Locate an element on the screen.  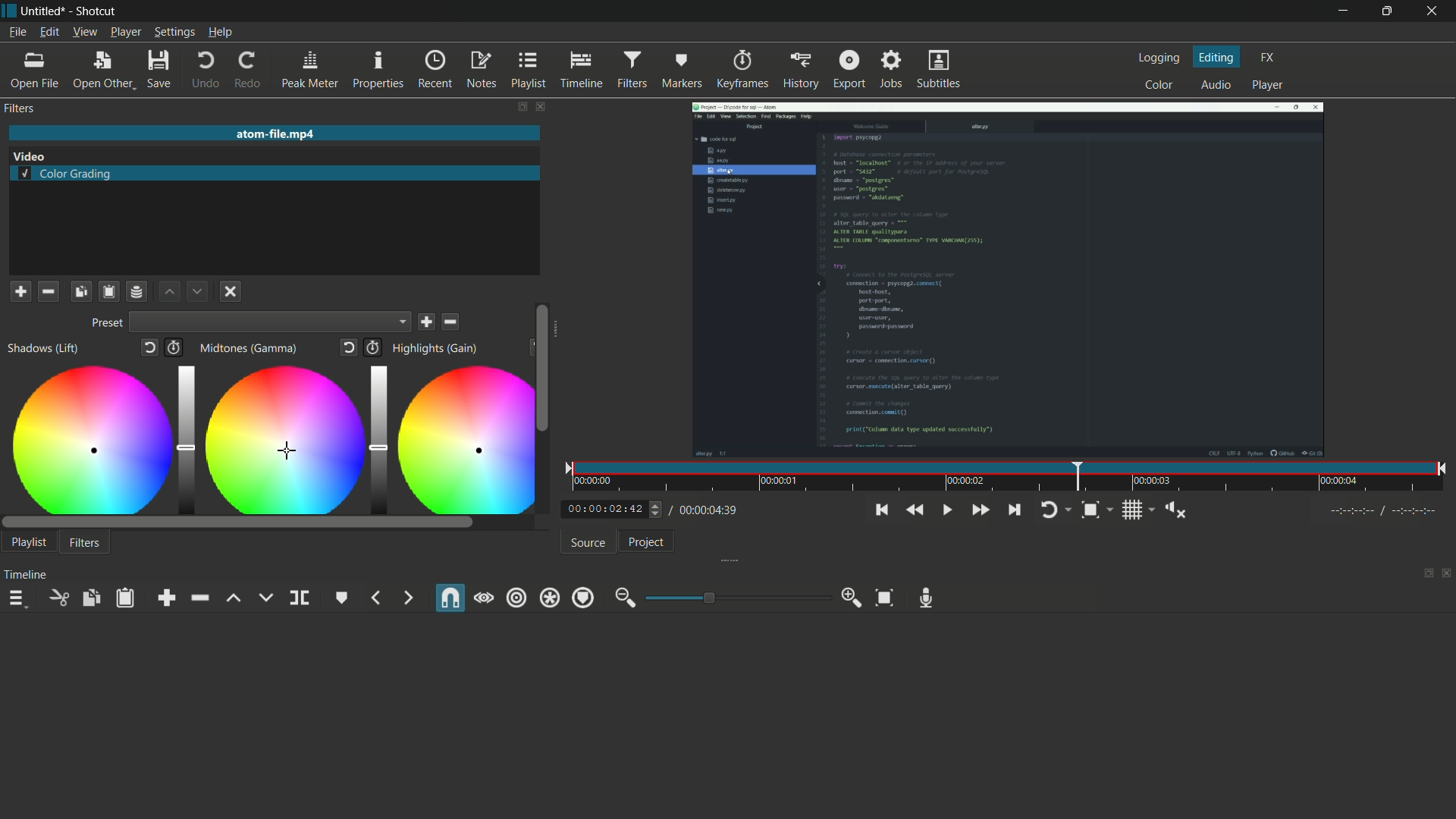
save is located at coordinates (428, 322).